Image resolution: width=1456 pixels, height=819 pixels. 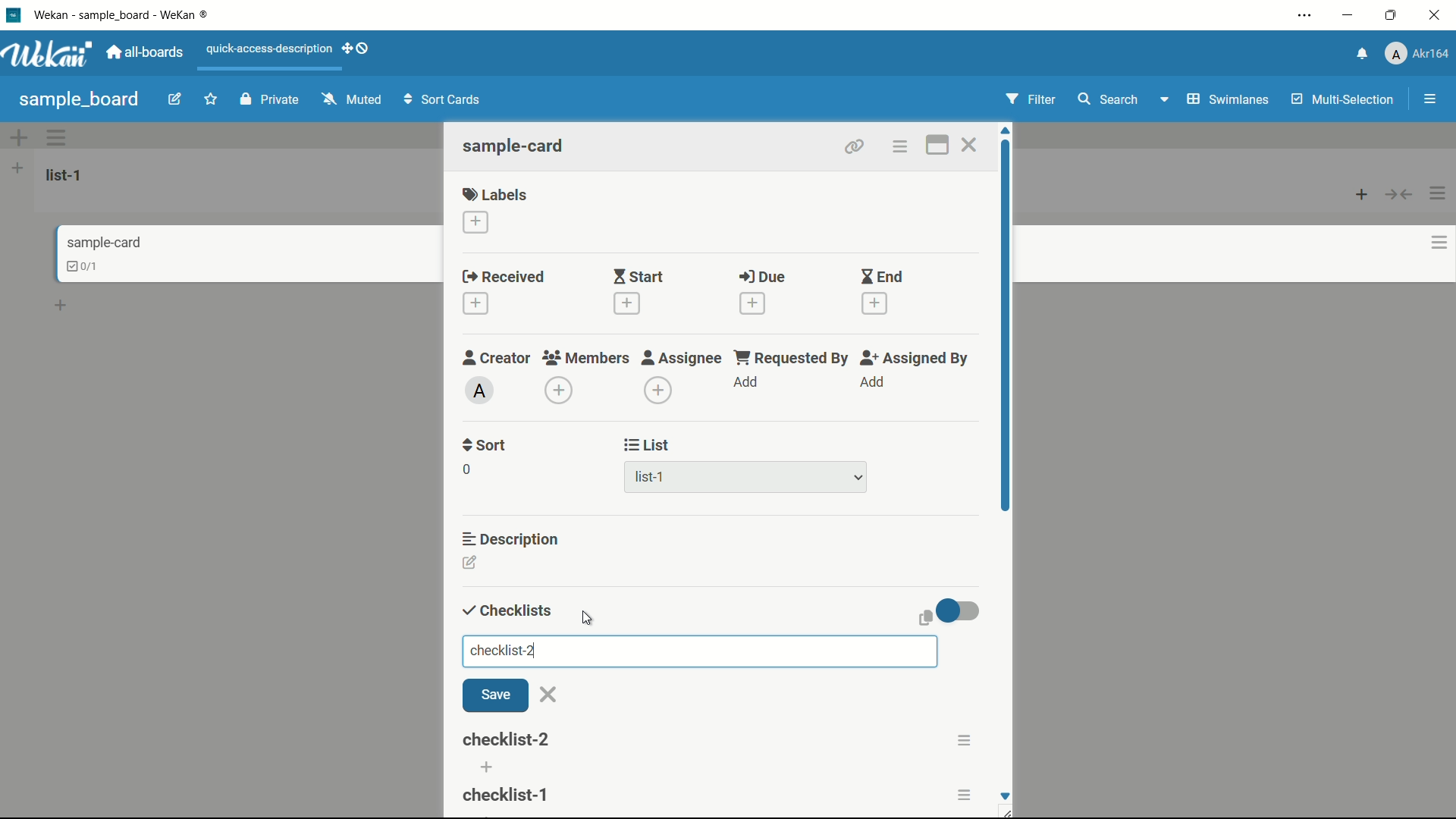 What do you see at coordinates (1307, 17) in the screenshot?
I see `settings and more` at bounding box center [1307, 17].